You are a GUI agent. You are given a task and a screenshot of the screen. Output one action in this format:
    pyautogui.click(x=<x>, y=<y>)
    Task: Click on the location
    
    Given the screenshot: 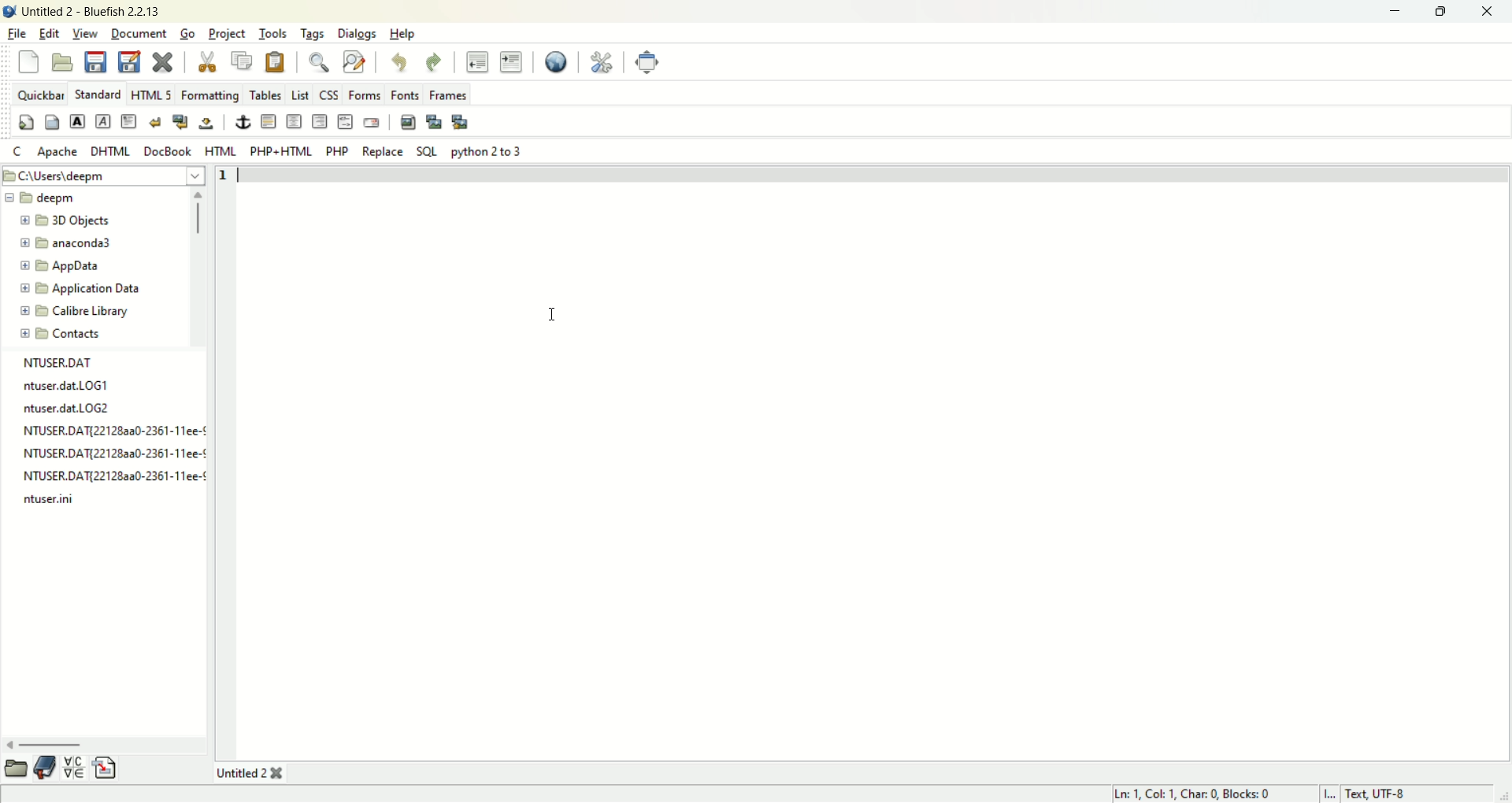 What is the action you would take?
    pyautogui.click(x=105, y=174)
    